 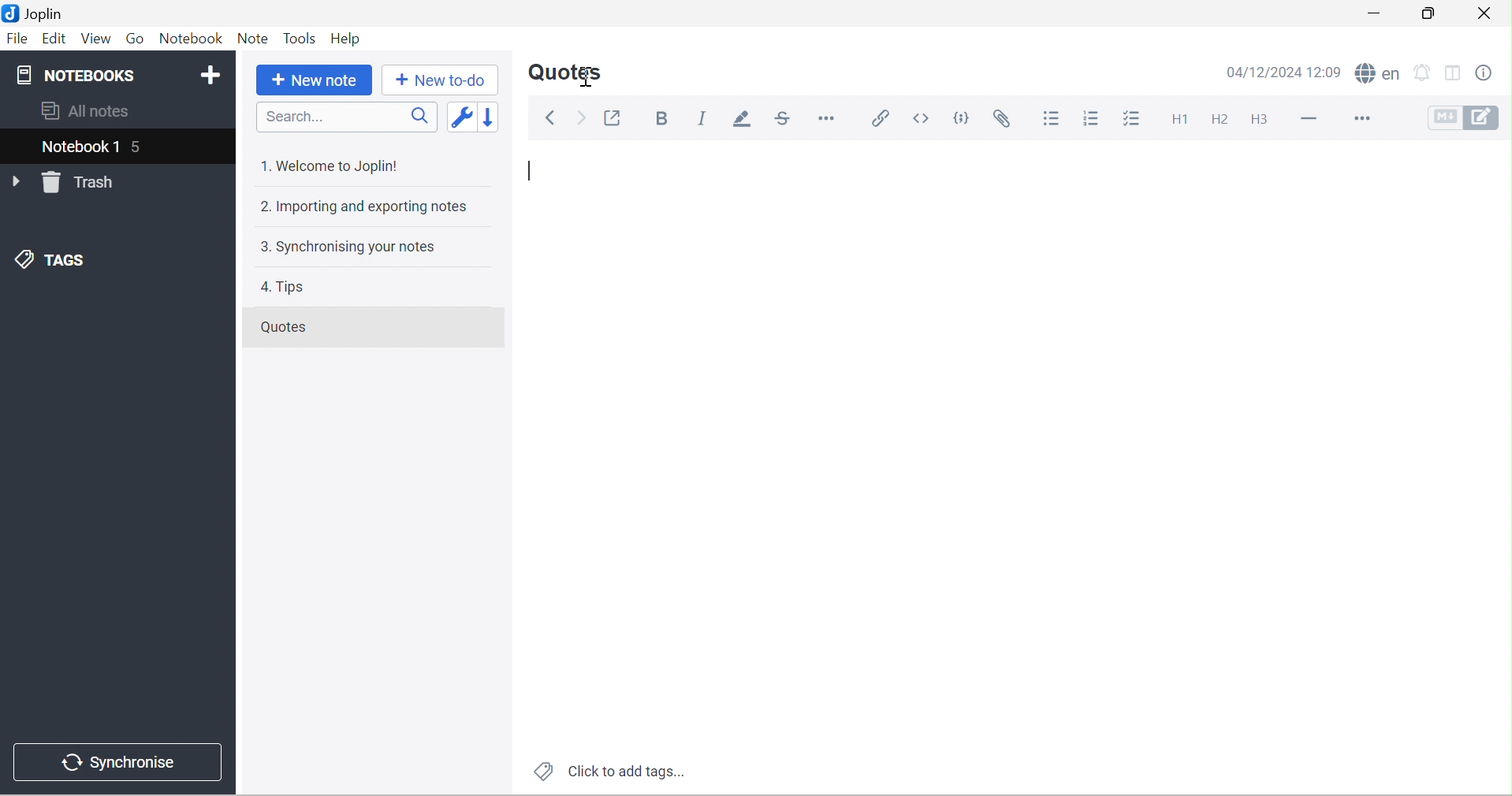 What do you see at coordinates (54, 40) in the screenshot?
I see `Edit` at bounding box center [54, 40].